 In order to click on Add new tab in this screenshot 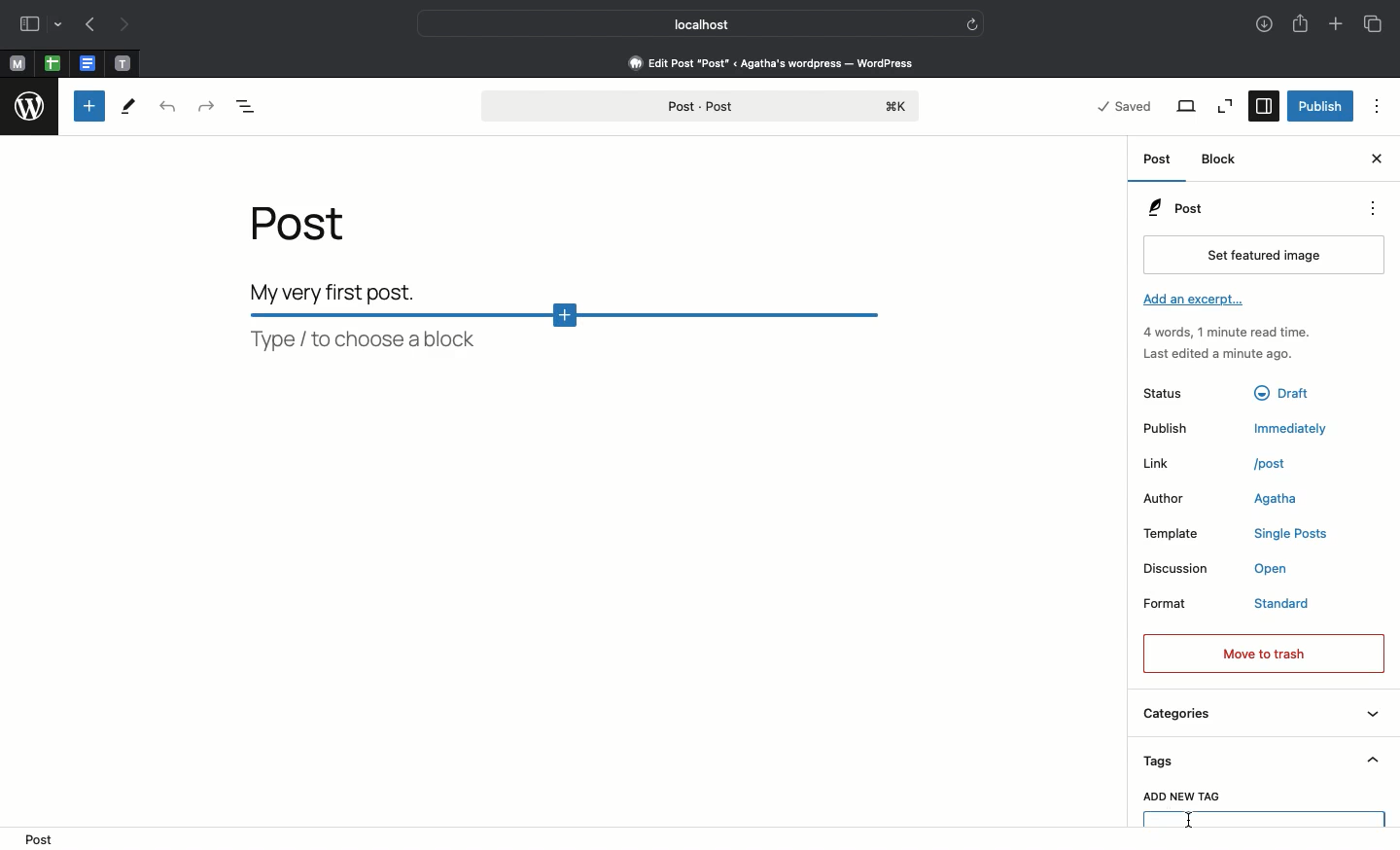, I will do `click(1338, 27)`.